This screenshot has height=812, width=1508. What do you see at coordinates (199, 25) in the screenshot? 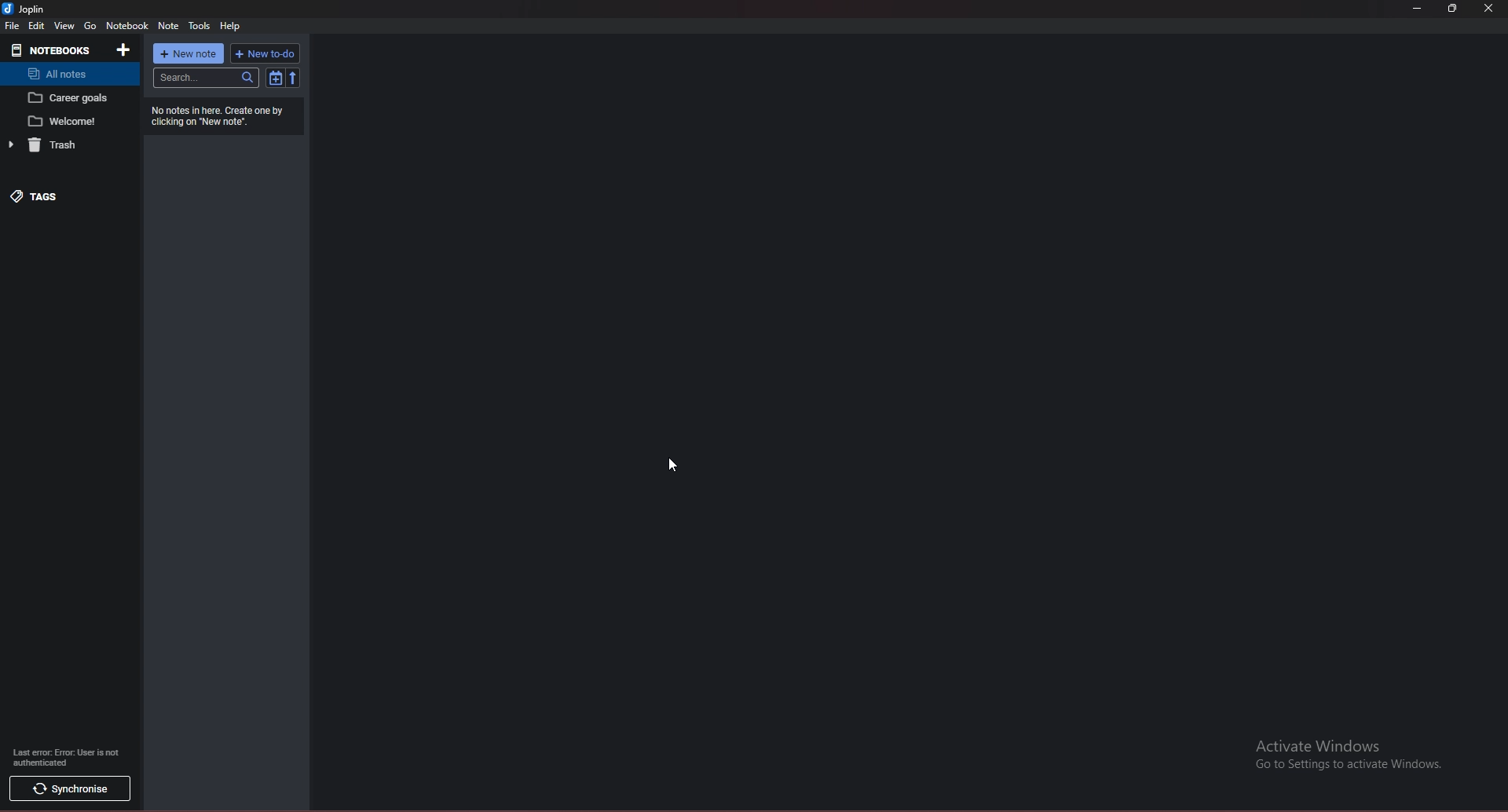
I see `tools` at bounding box center [199, 25].